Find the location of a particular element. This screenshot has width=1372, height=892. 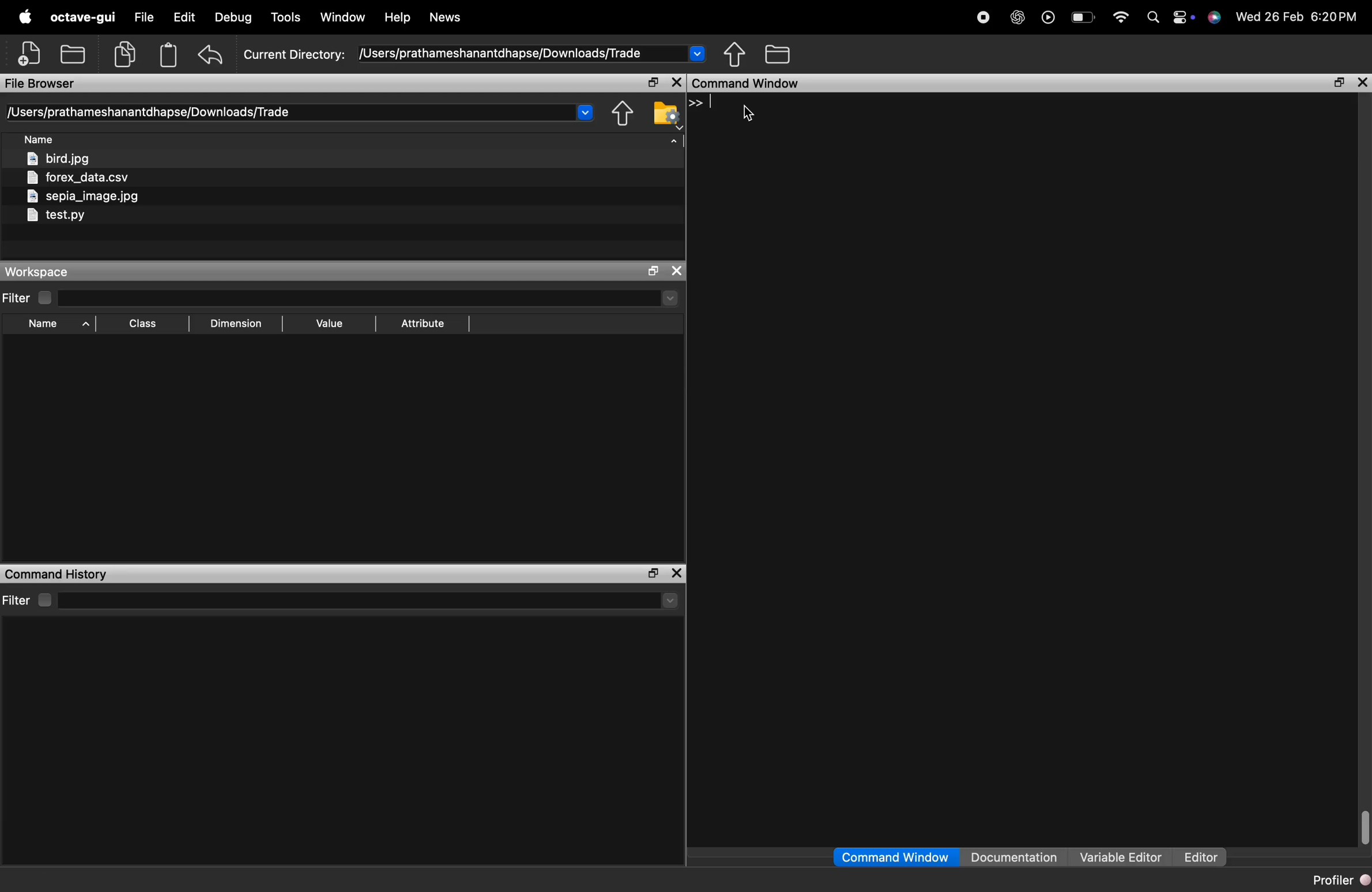

maximize is located at coordinates (653, 272).